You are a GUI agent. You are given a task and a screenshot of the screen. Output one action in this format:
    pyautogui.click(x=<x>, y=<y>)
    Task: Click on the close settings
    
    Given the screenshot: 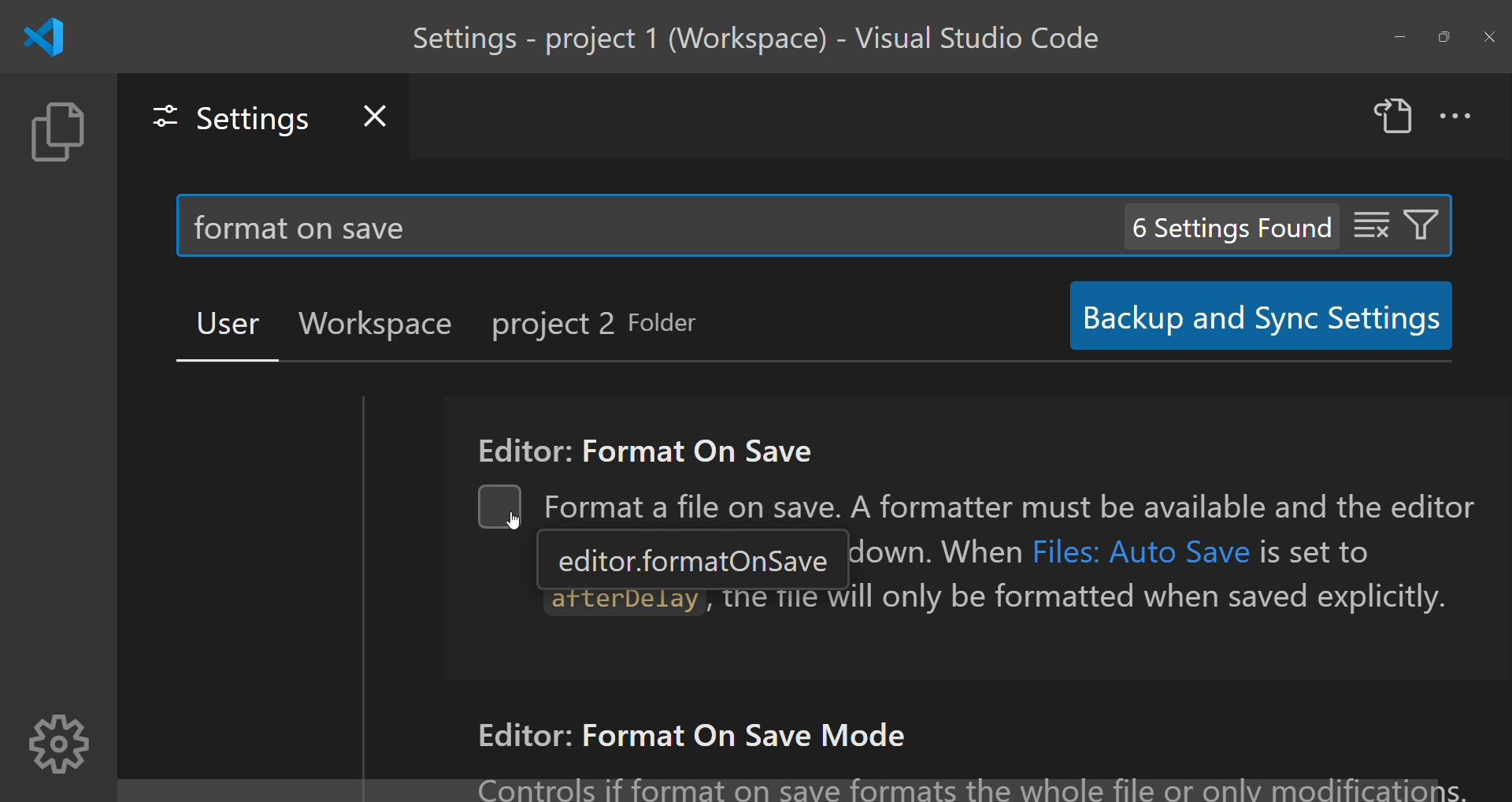 What is the action you would take?
    pyautogui.click(x=376, y=112)
    